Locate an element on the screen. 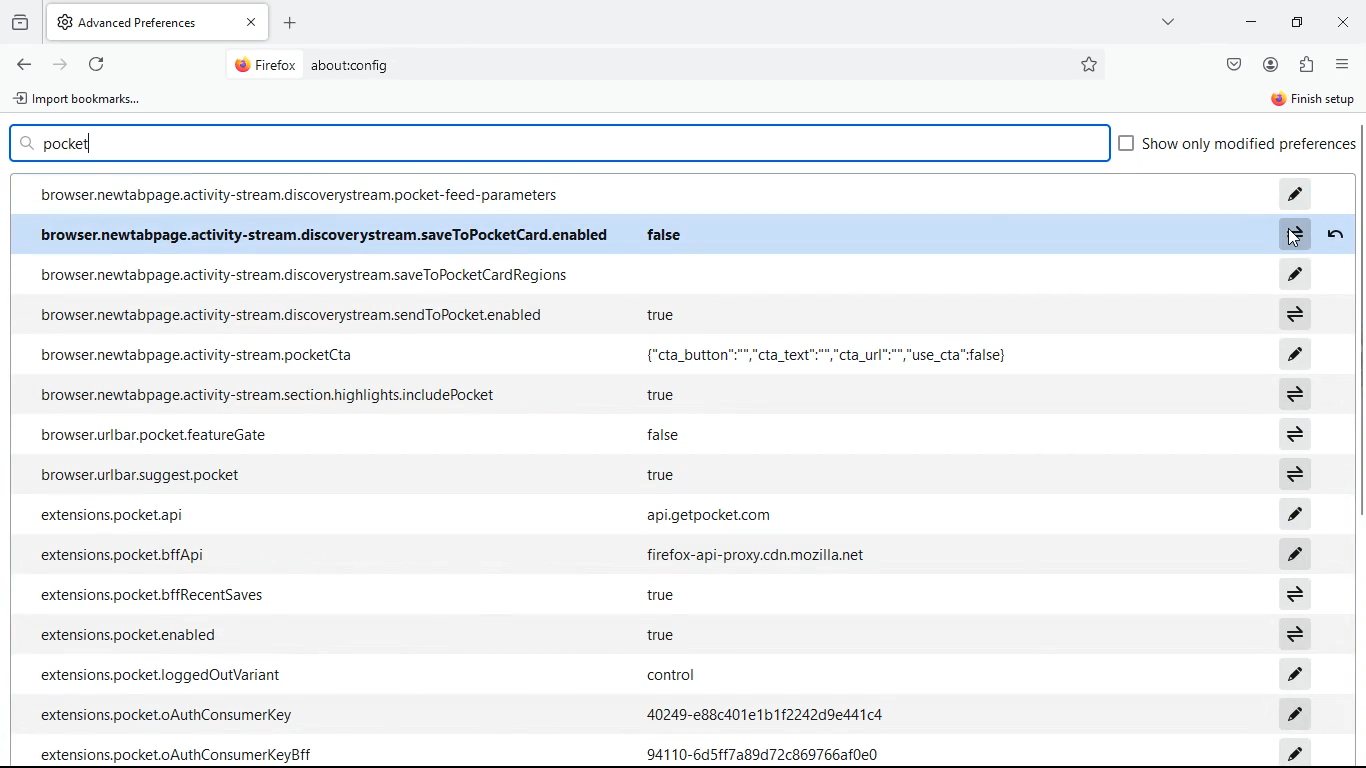  extensions.pocket.bffApi is located at coordinates (121, 557).